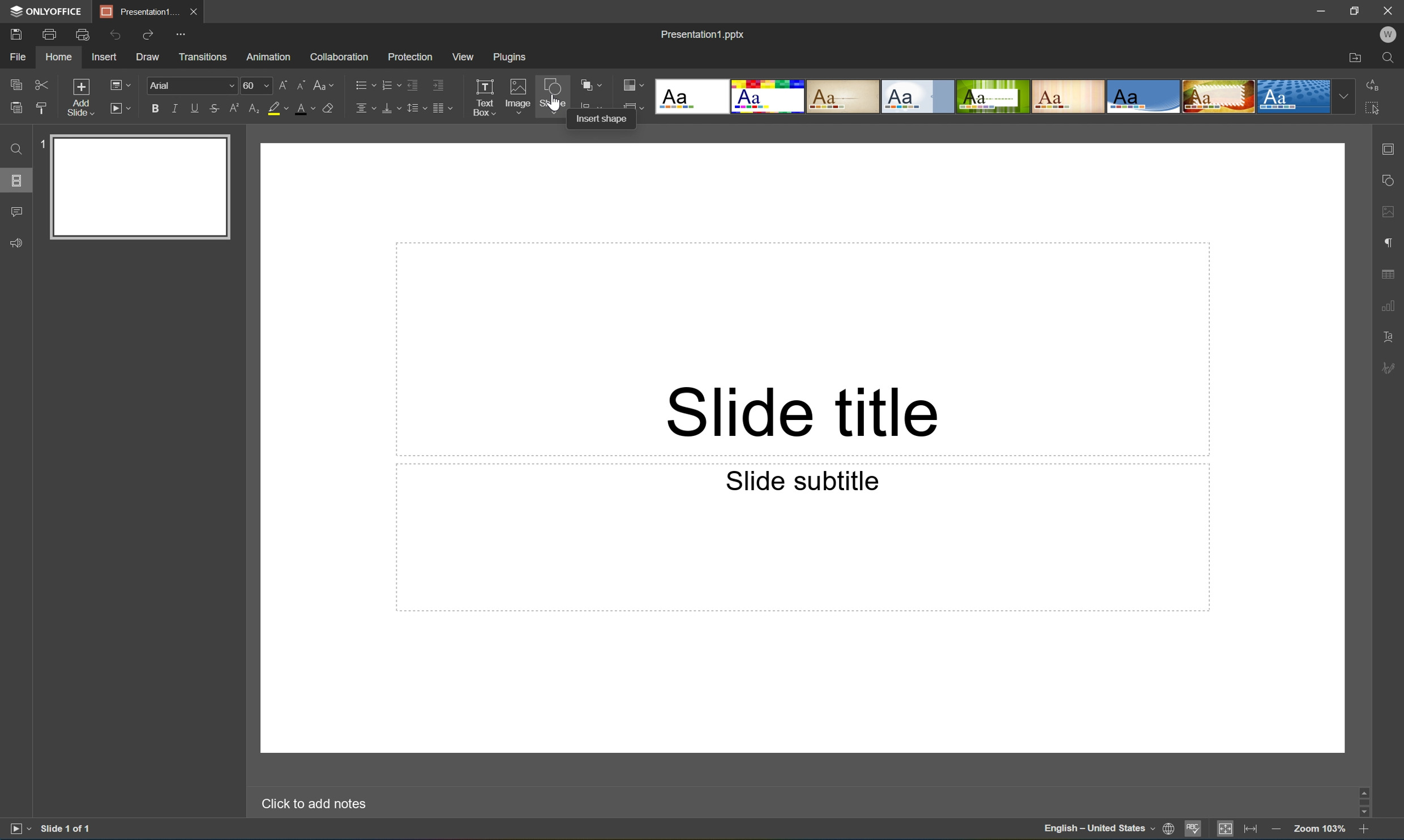 The image size is (1404, 840). I want to click on Plugins, so click(508, 57).